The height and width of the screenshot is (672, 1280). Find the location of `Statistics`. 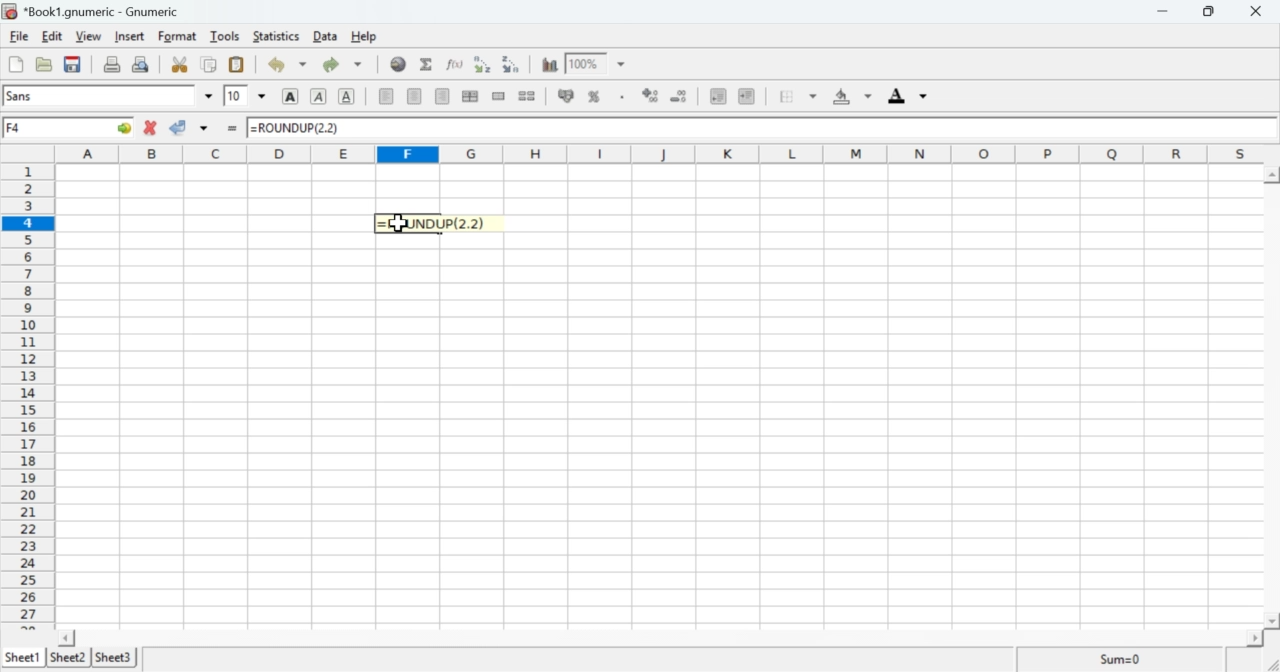

Statistics is located at coordinates (275, 36).